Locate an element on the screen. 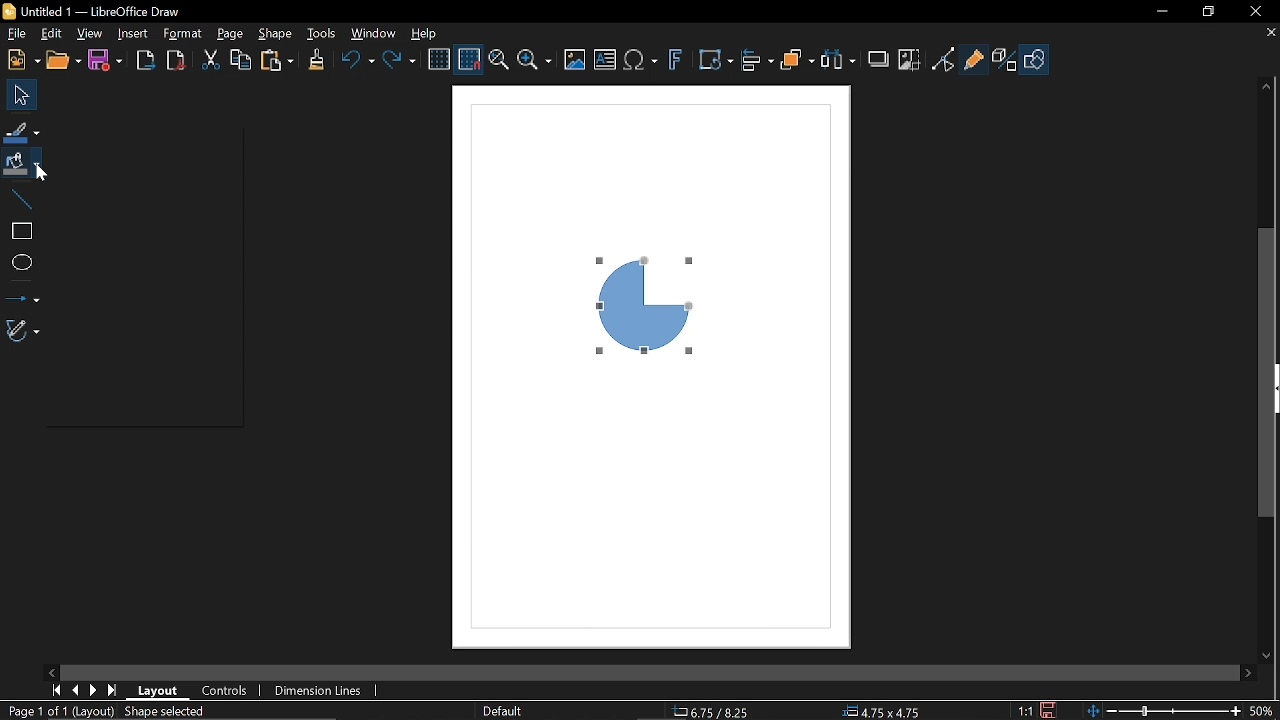  Arrange is located at coordinates (798, 62).